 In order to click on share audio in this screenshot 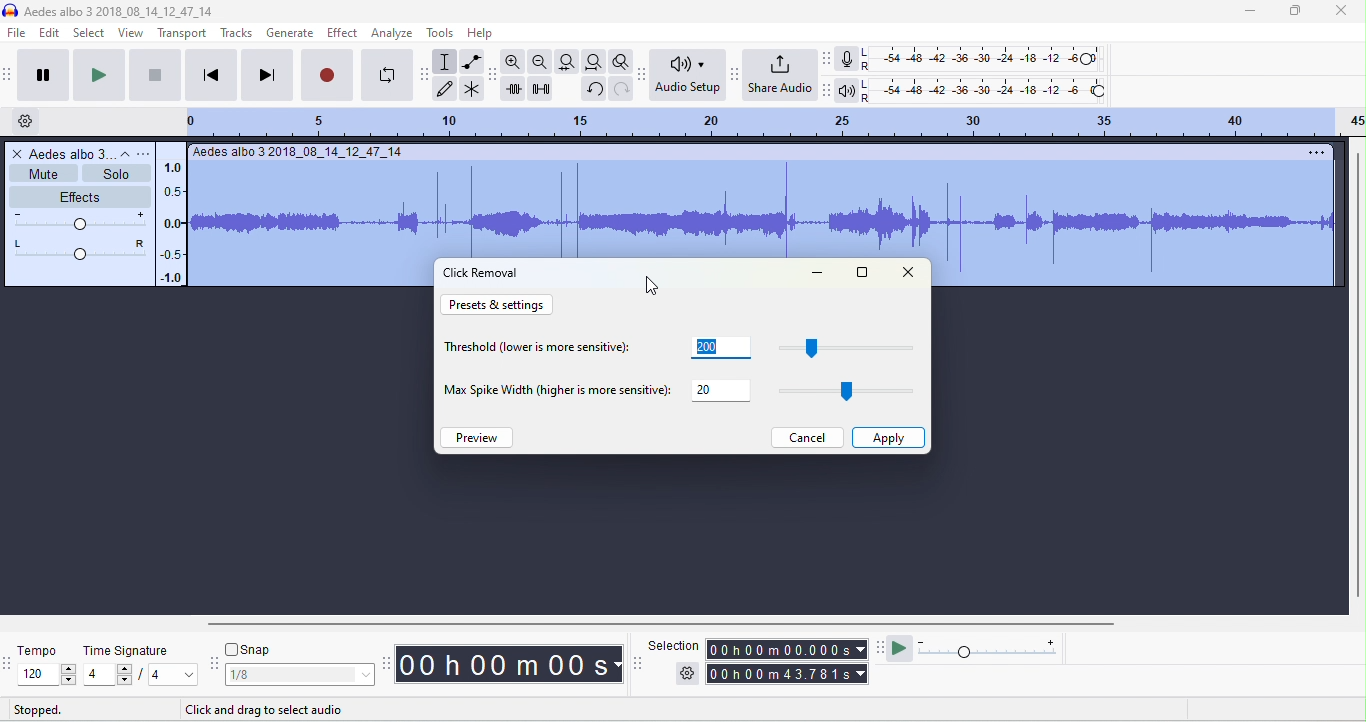, I will do `click(782, 74)`.